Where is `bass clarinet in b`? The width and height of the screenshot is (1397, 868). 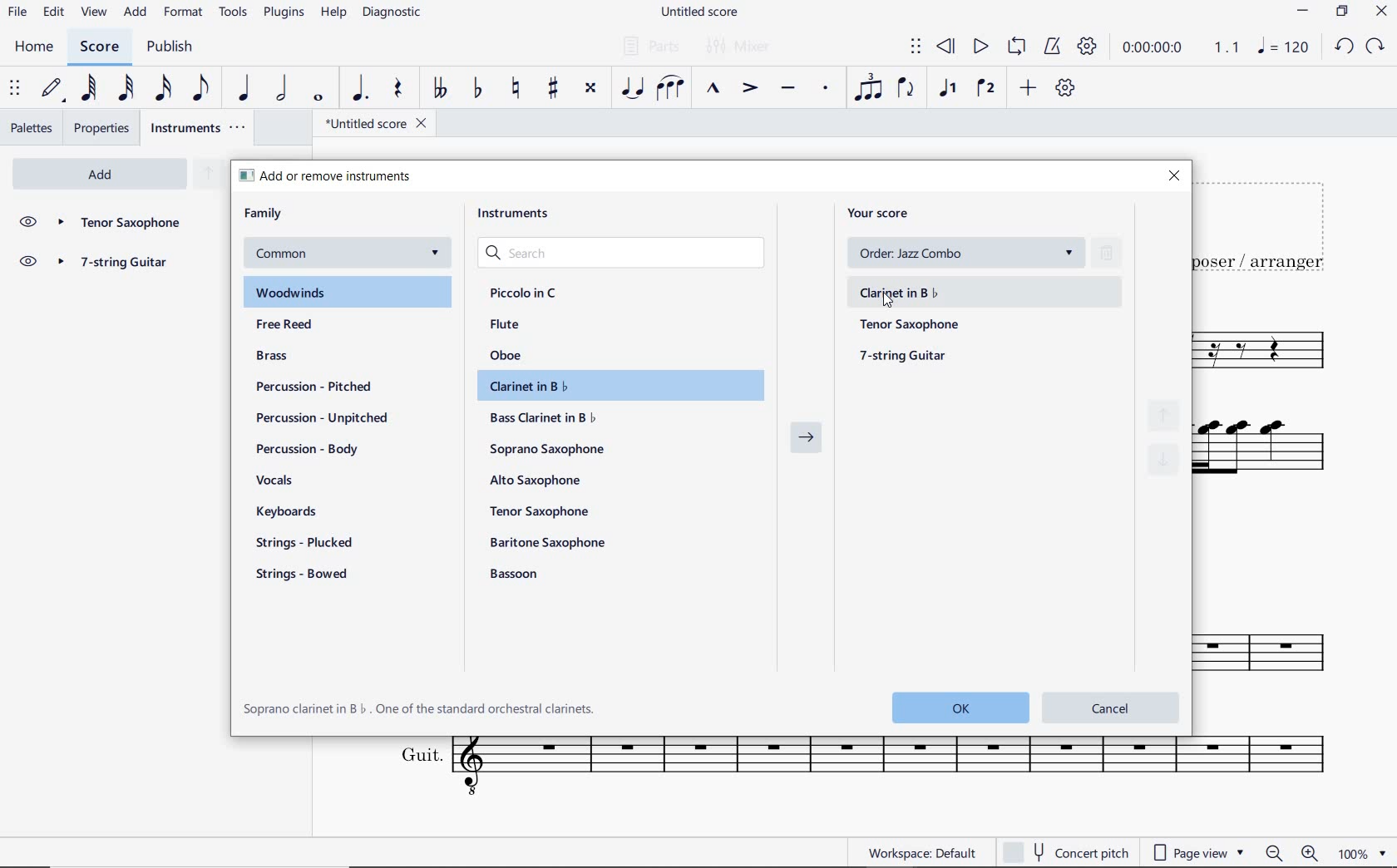 bass clarinet in b is located at coordinates (545, 417).